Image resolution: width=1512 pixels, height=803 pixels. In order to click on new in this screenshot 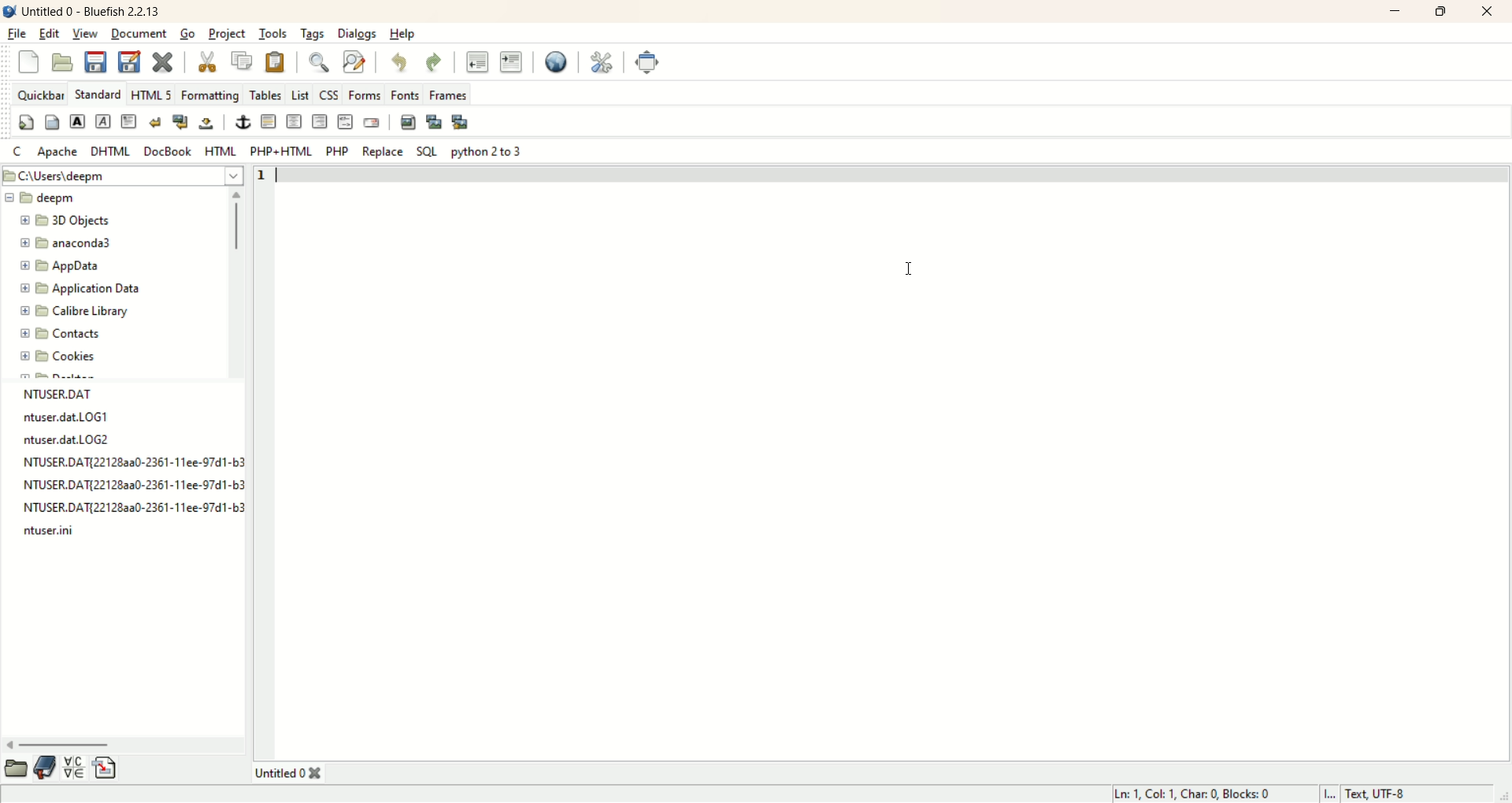, I will do `click(29, 63)`.